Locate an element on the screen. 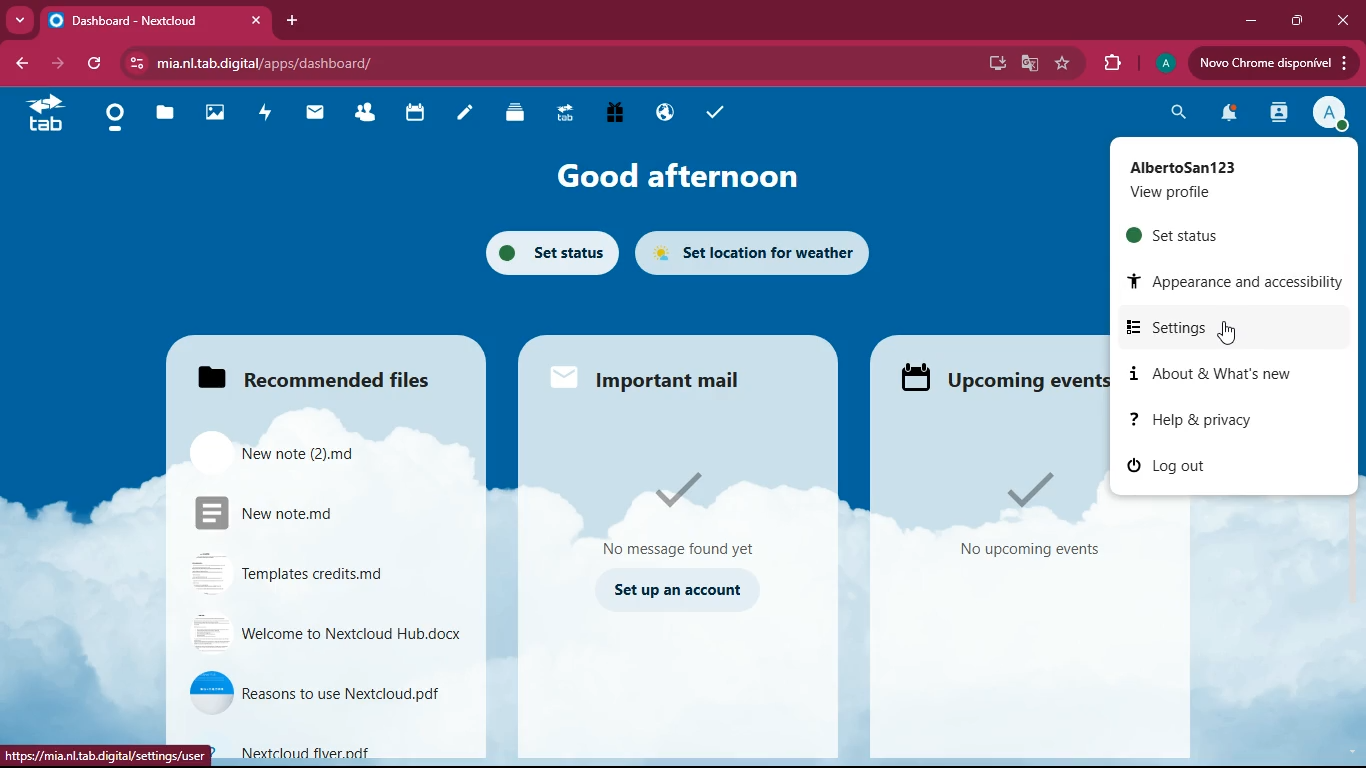 This screenshot has width=1366, height=768. activity is located at coordinates (1278, 112).